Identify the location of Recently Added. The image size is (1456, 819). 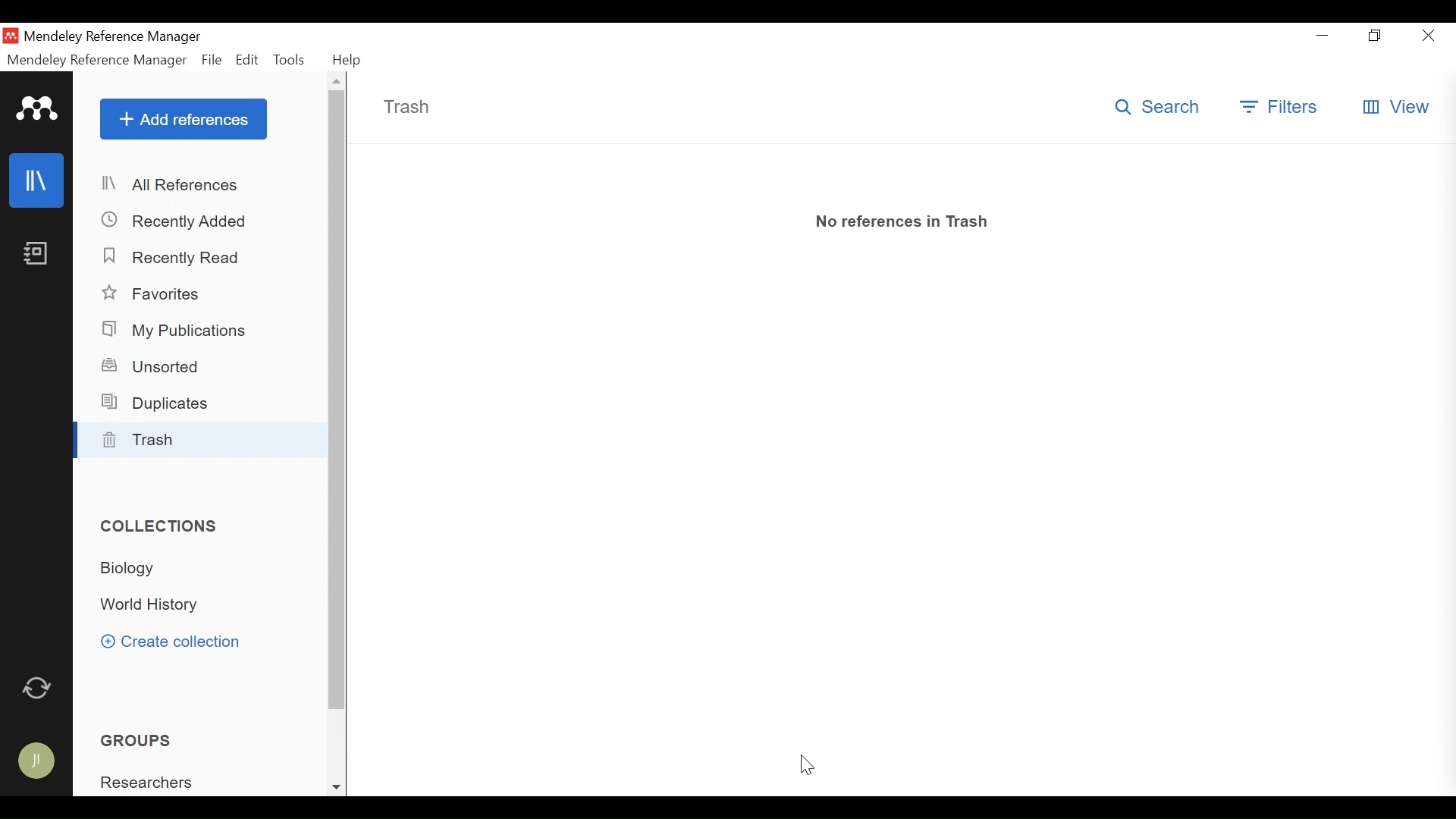
(180, 221).